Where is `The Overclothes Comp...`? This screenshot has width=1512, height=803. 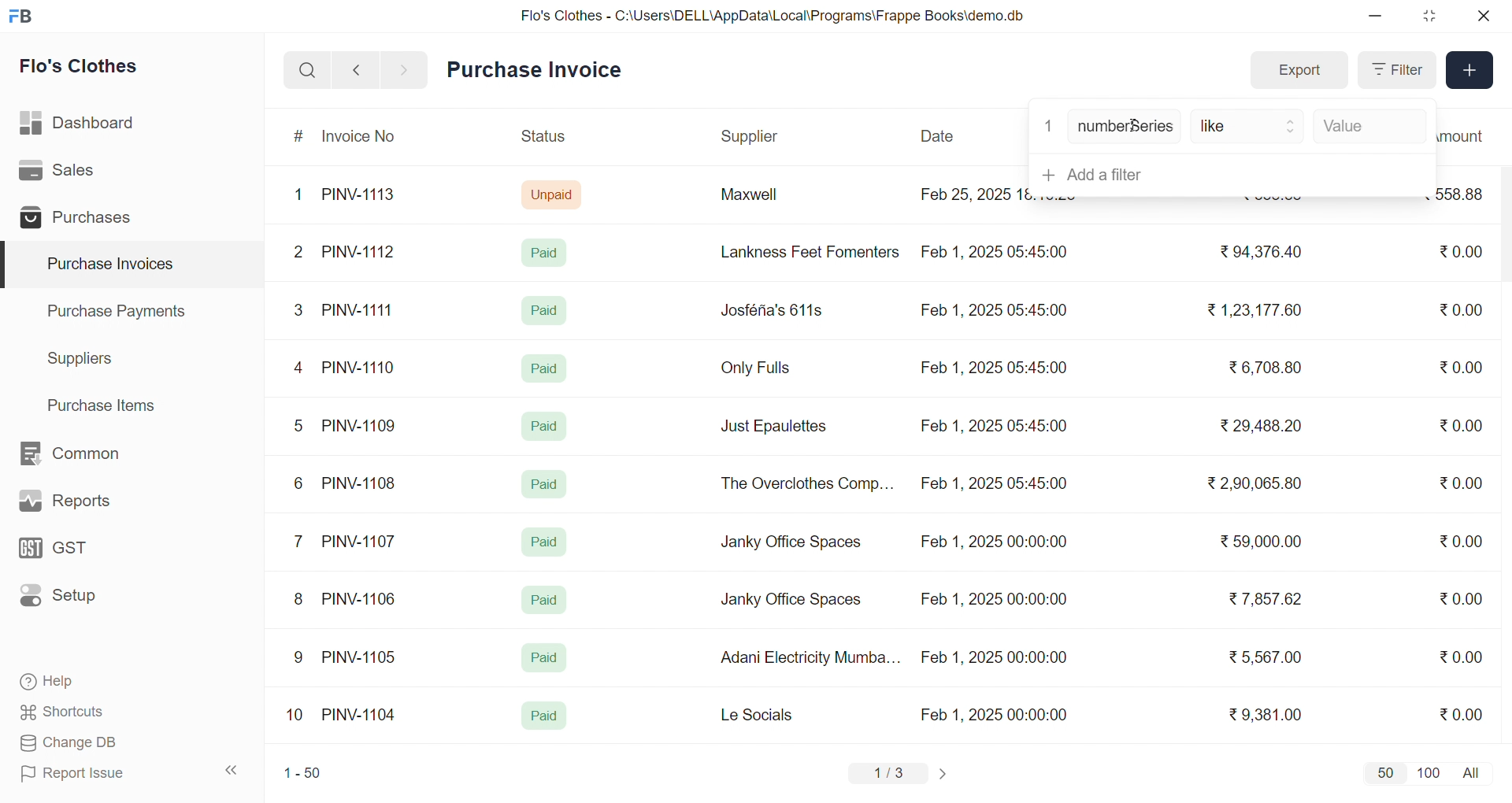
The Overclothes Comp... is located at coordinates (805, 483).